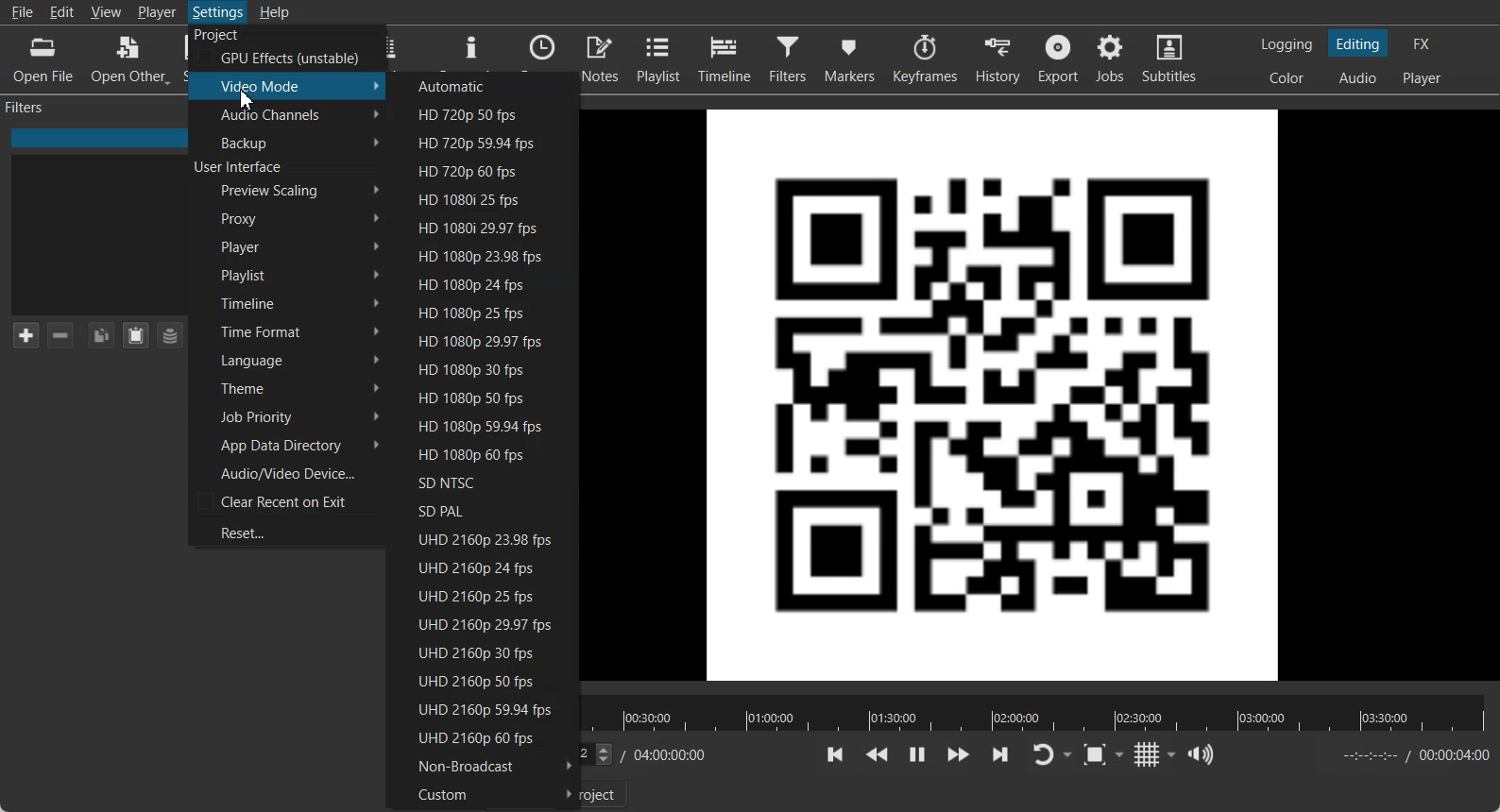 The height and width of the screenshot is (812, 1500). What do you see at coordinates (477, 397) in the screenshot?
I see `HD 1080p 50 fps` at bounding box center [477, 397].